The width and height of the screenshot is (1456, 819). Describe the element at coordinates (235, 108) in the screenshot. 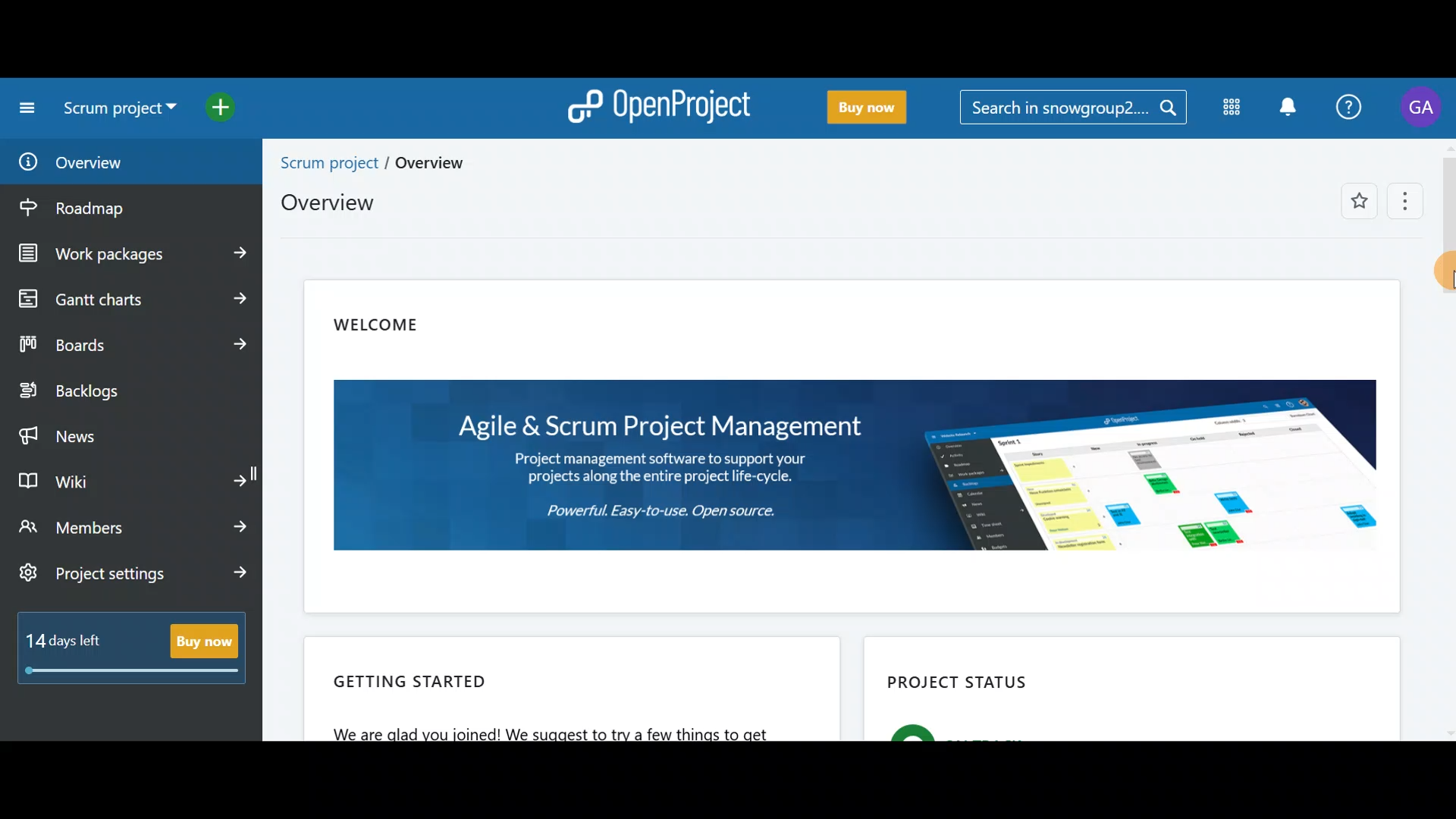

I see `Open quick add menu` at that location.